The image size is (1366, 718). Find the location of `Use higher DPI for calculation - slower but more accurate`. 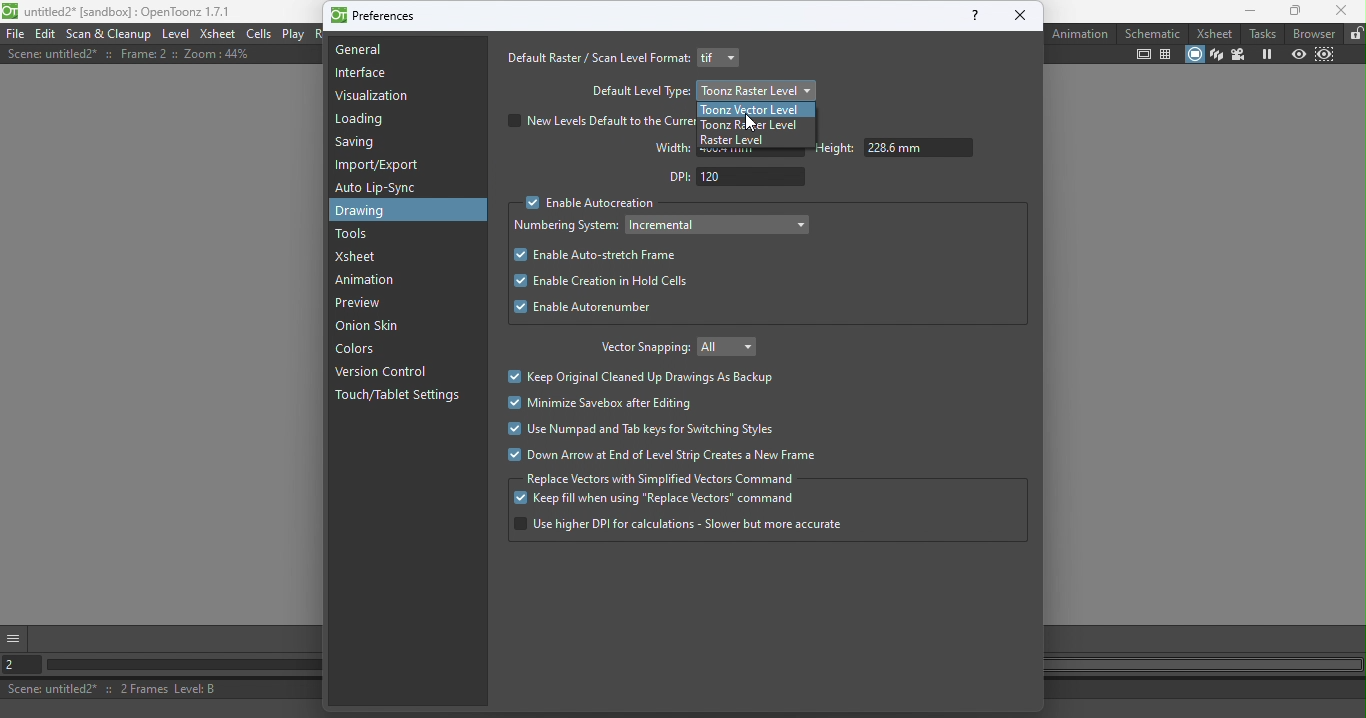

Use higher DPI for calculation - slower but more accurate is located at coordinates (680, 525).